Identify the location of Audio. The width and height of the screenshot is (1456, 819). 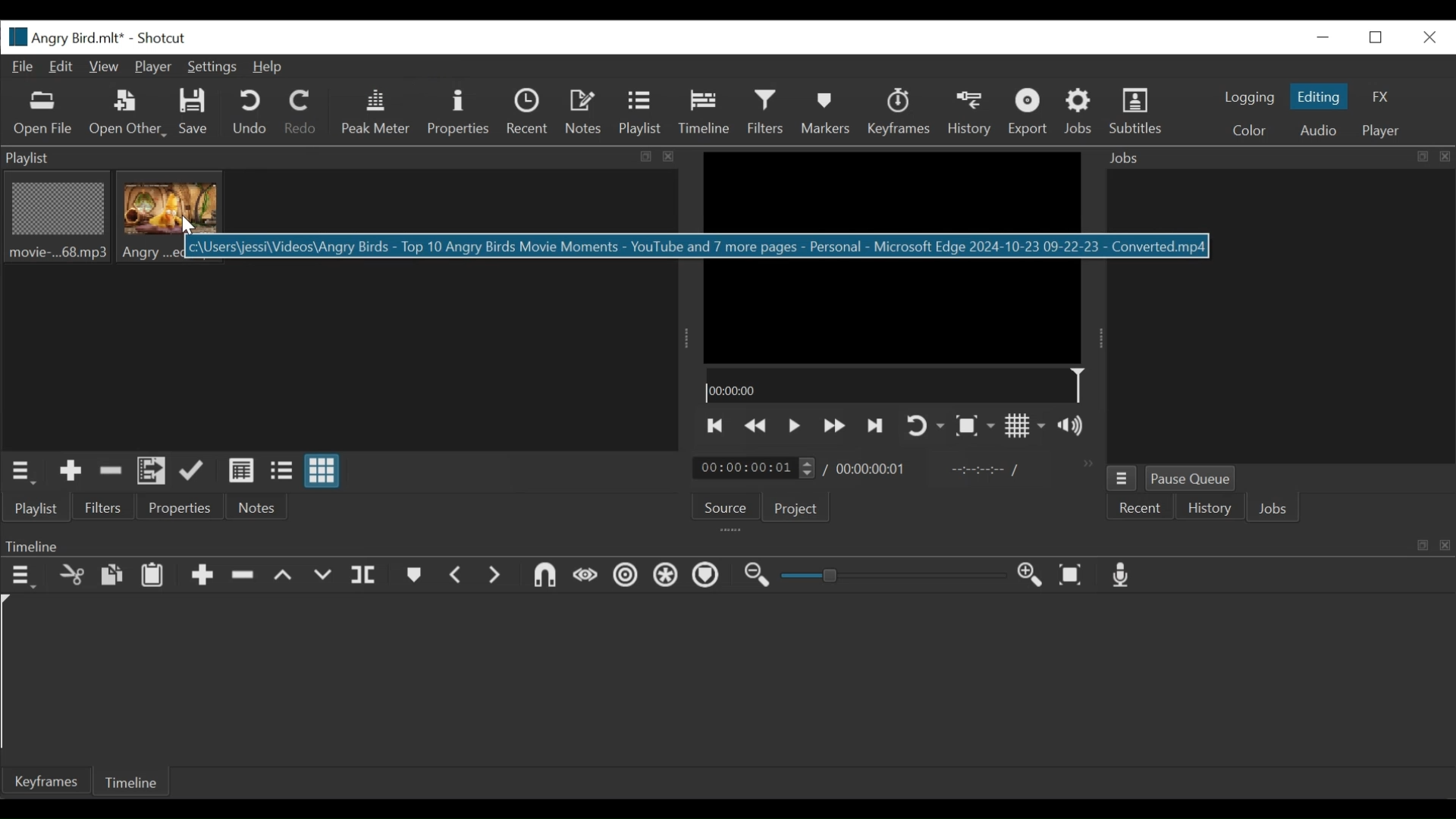
(1316, 130).